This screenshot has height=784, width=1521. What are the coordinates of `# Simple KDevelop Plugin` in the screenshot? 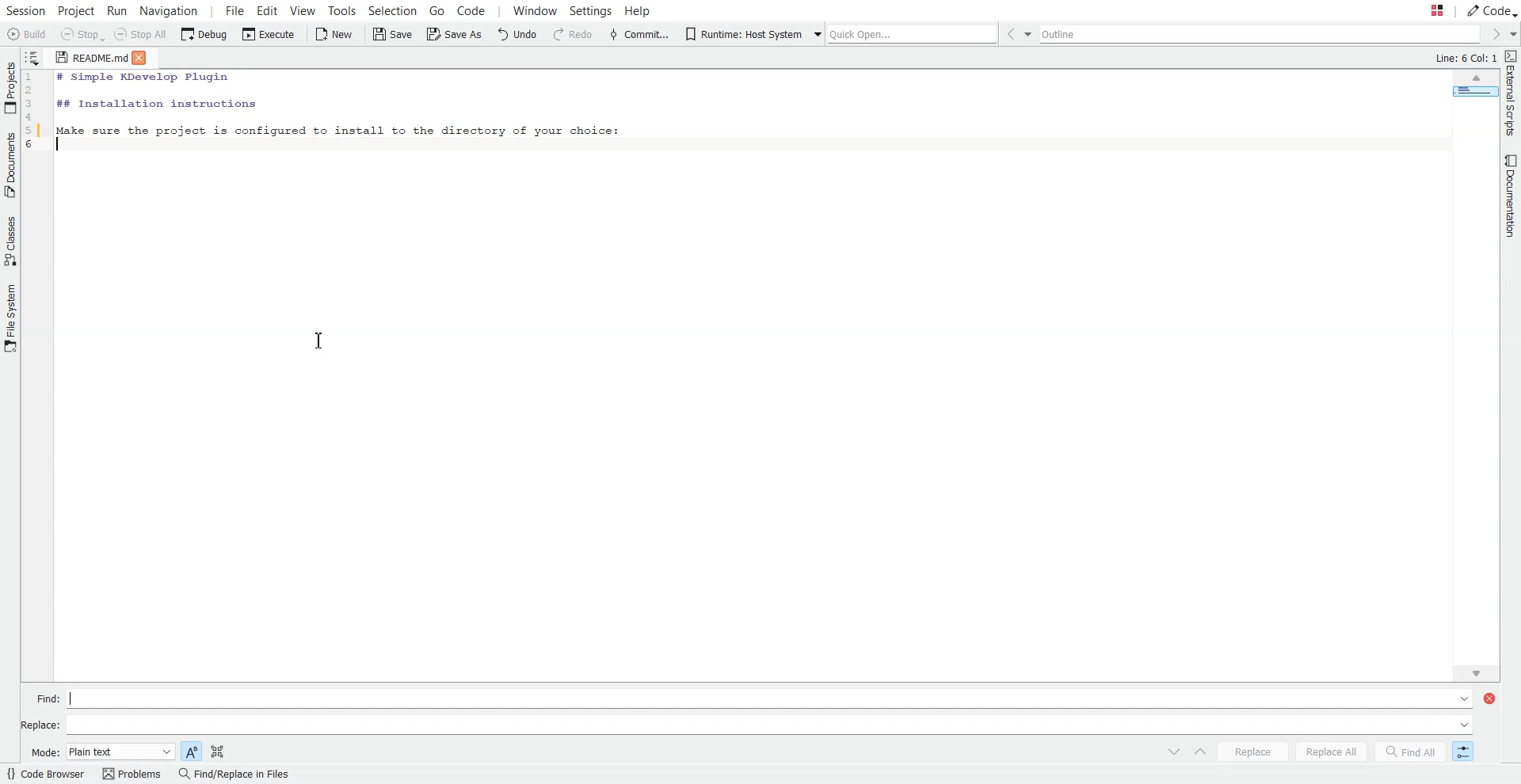 It's located at (144, 78).